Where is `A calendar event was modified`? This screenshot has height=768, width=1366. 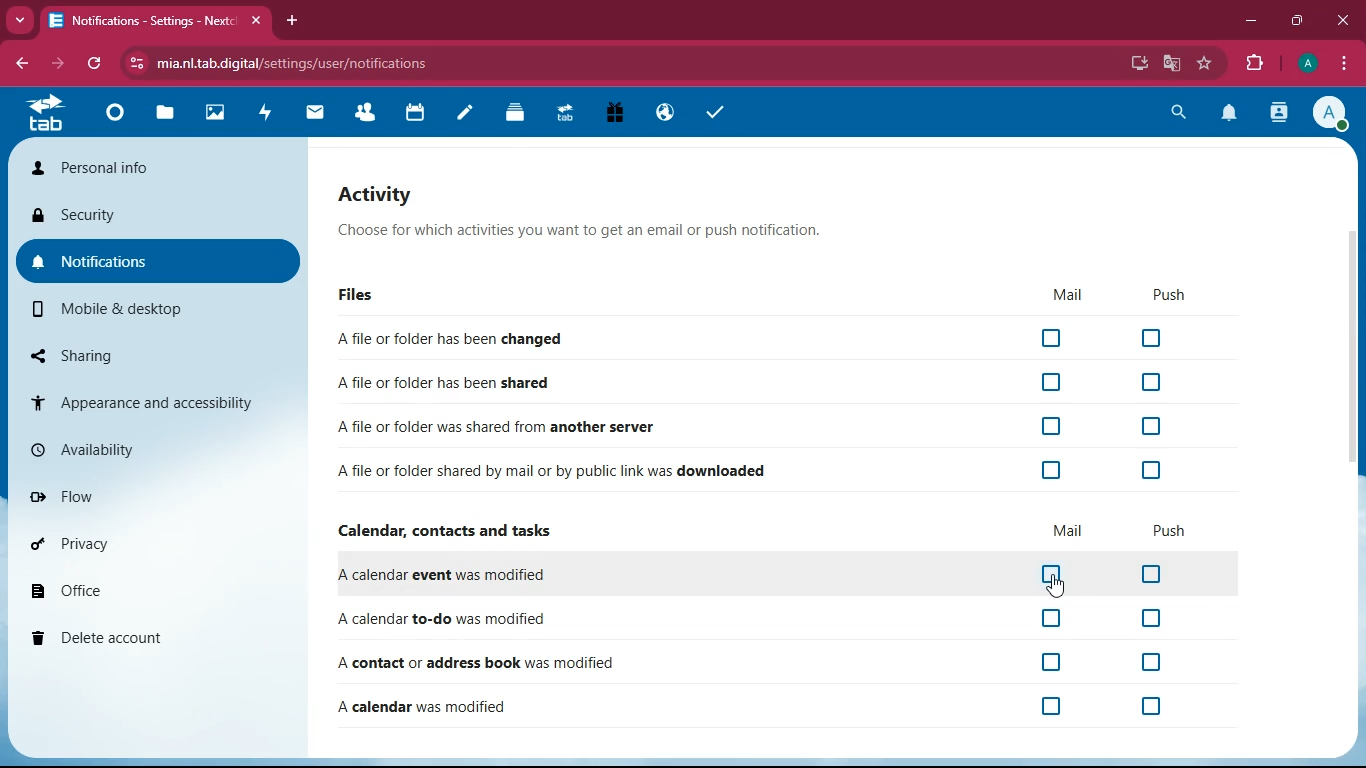
A calendar event was modified is located at coordinates (777, 573).